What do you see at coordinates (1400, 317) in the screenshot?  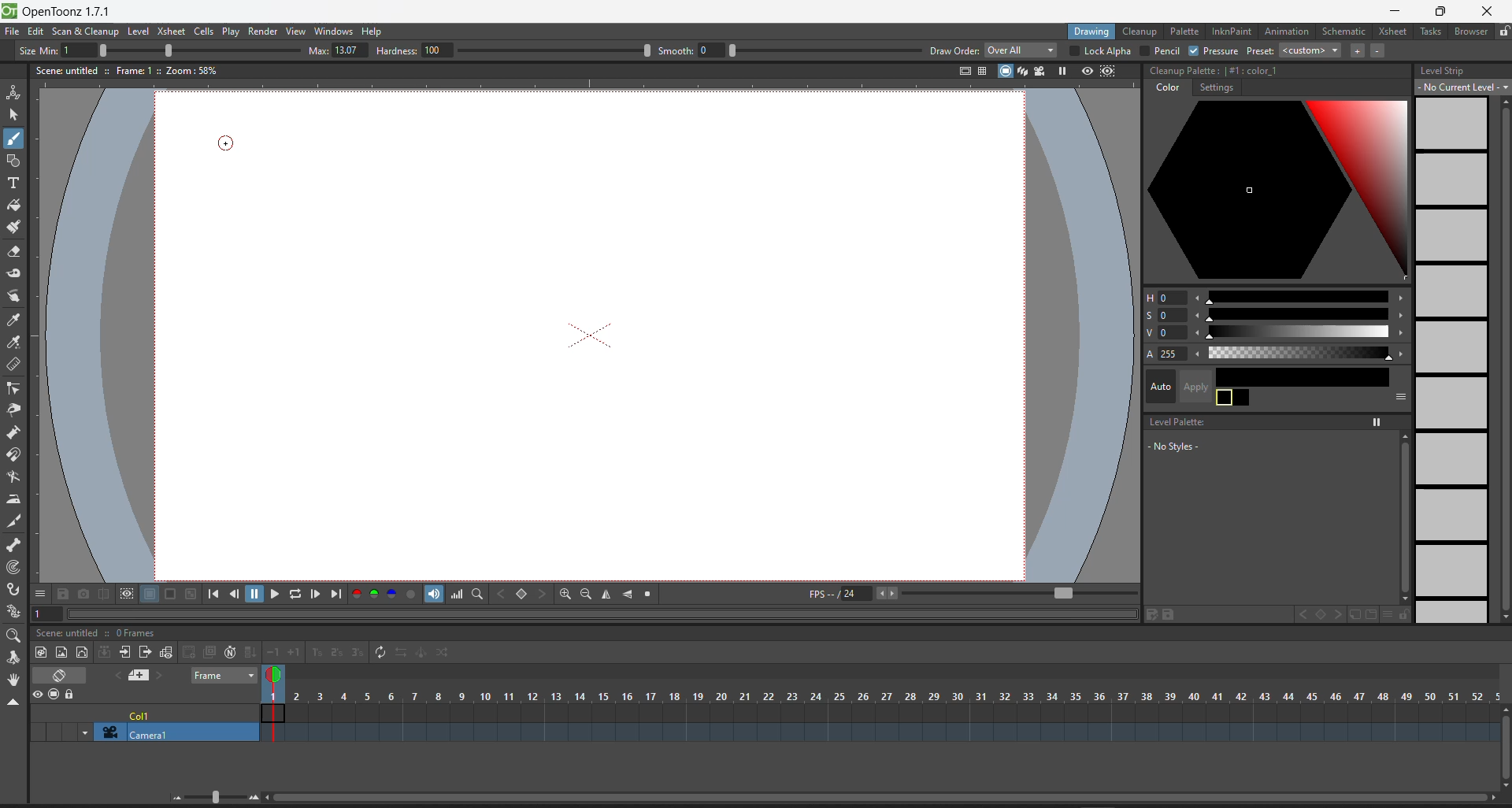 I see `move right` at bounding box center [1400, 317].